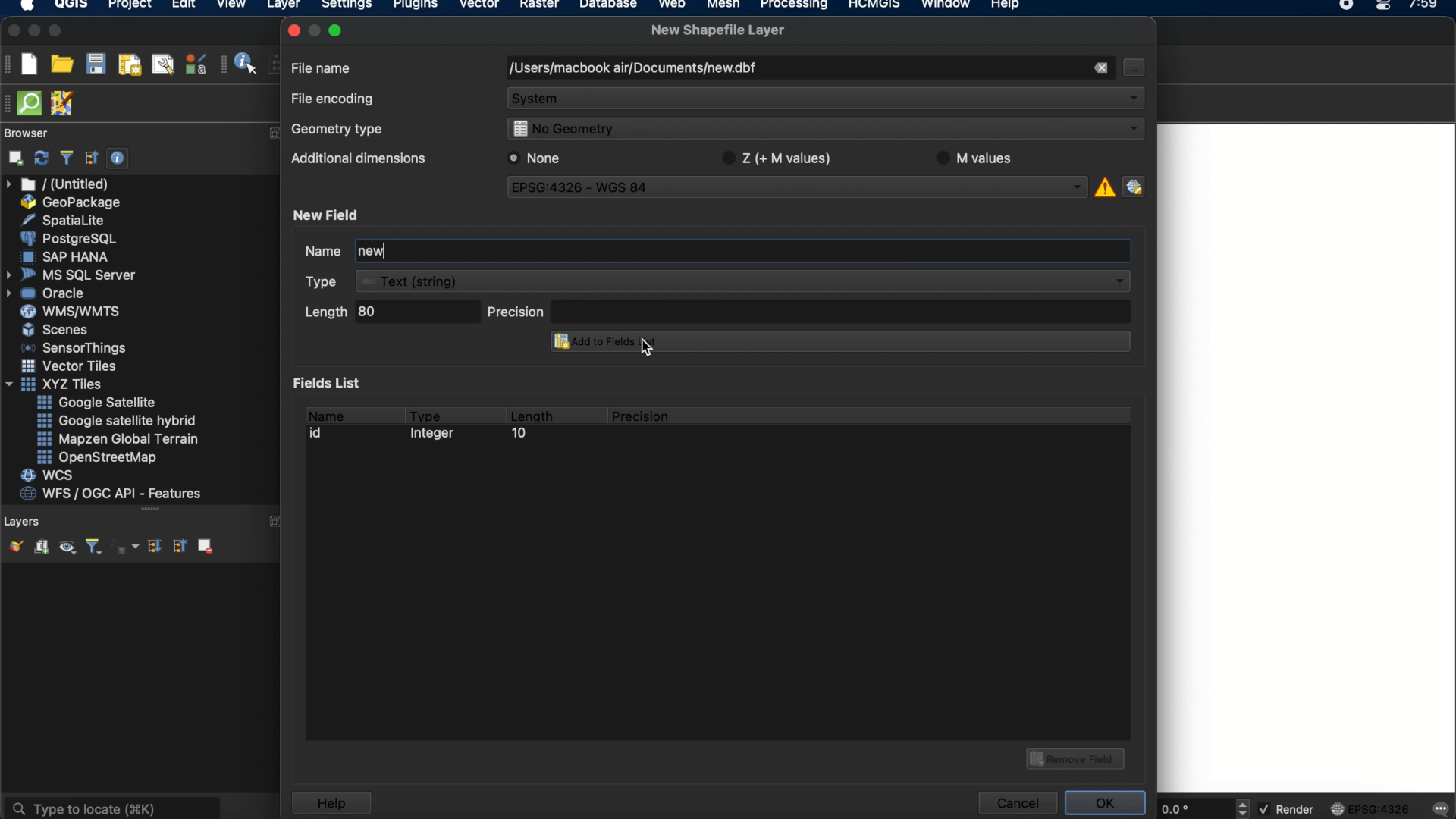 This screenshot has height=819, width=1456. I want to click on filter legend, so click(93, 548).